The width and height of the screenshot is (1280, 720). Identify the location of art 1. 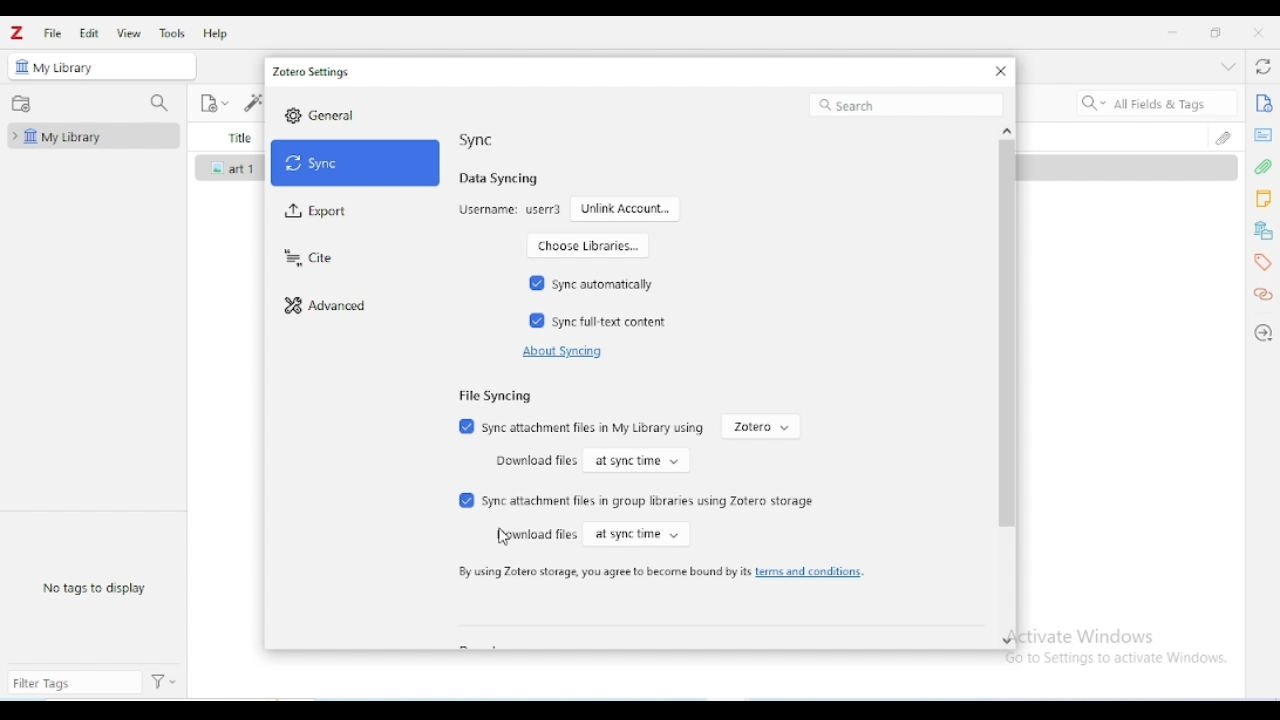
(245, 169).